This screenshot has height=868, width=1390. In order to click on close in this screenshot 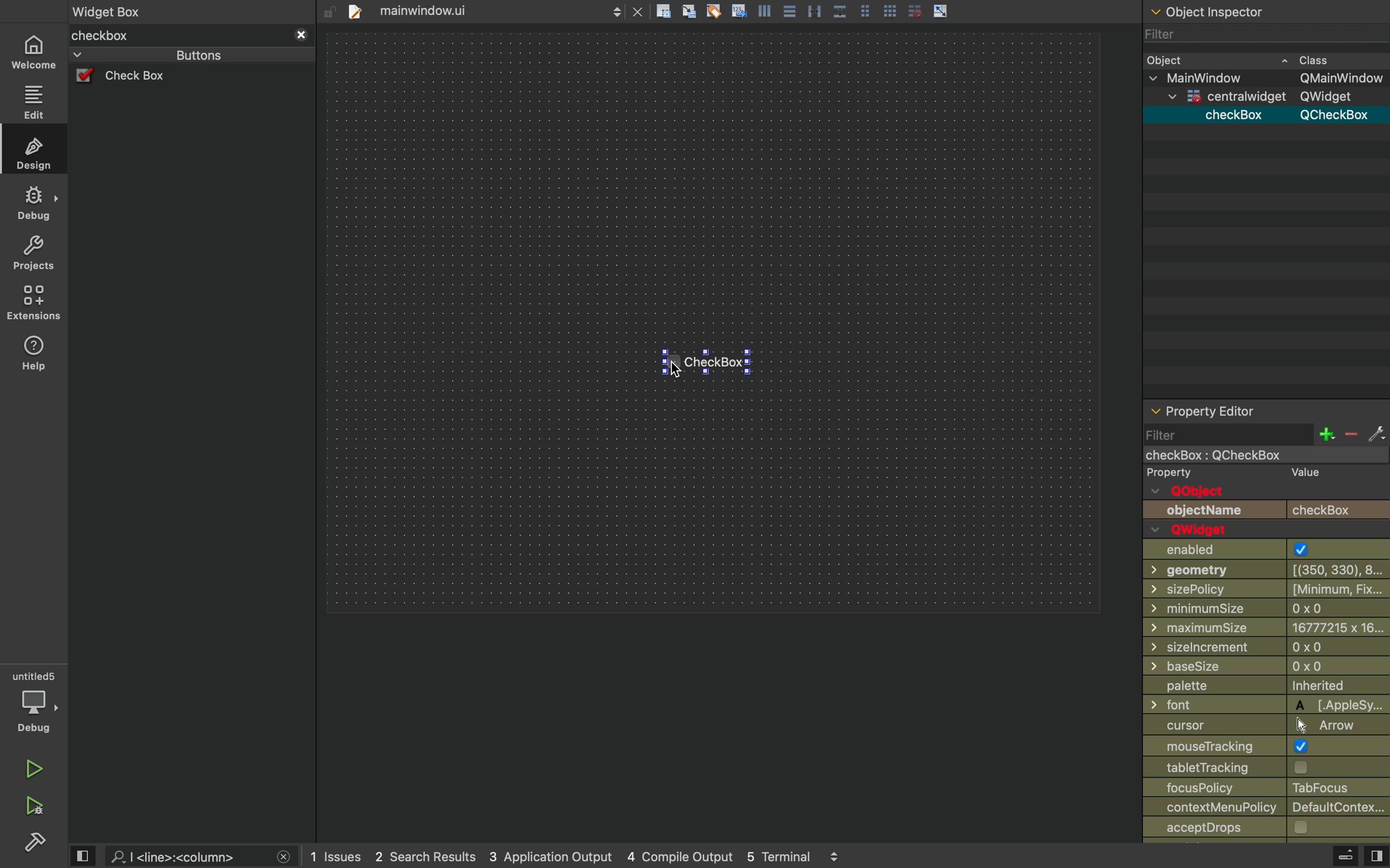, I will do `click(284, 857)`.